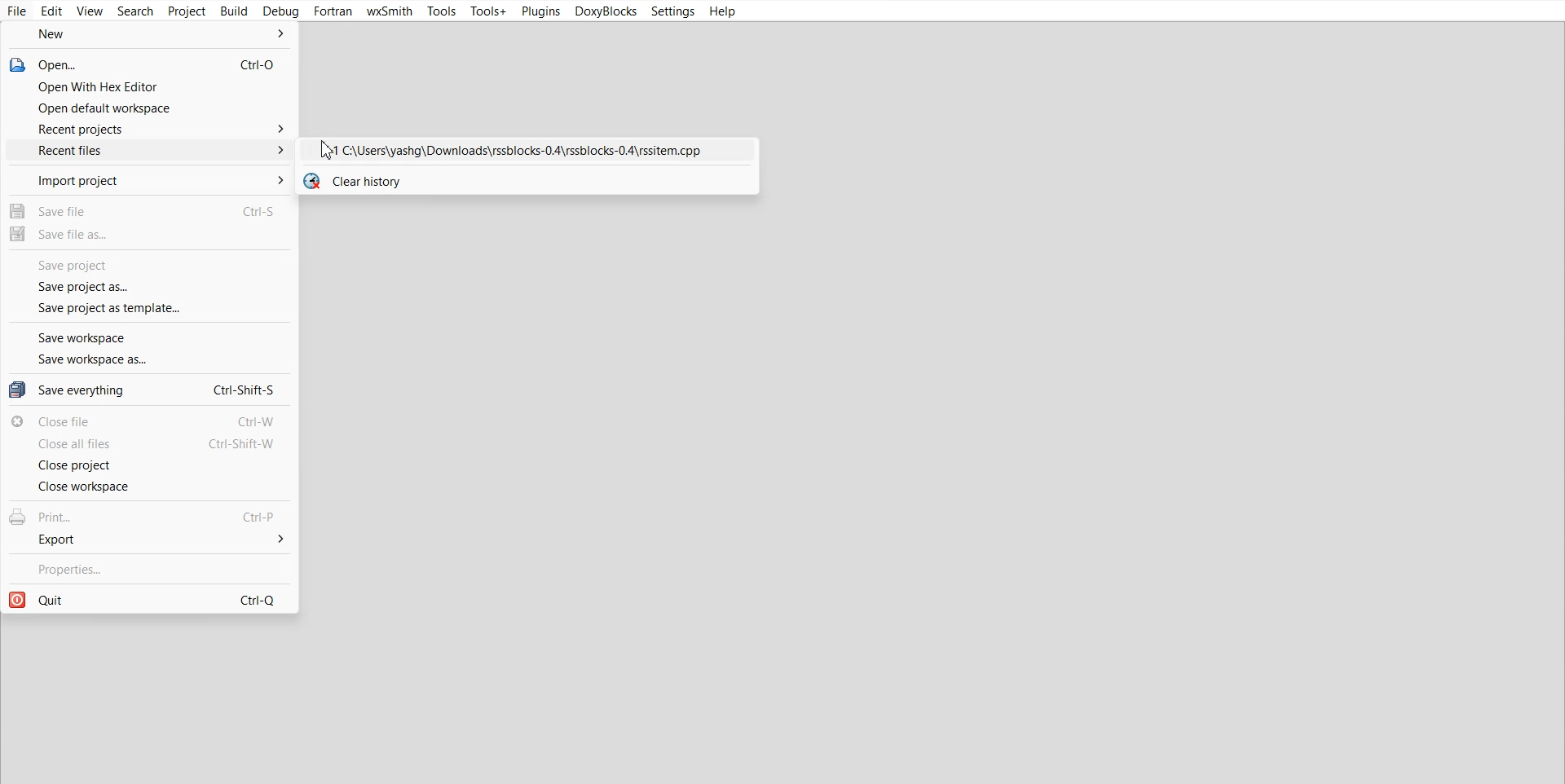  I want to click on Save project, so click(148, 265).